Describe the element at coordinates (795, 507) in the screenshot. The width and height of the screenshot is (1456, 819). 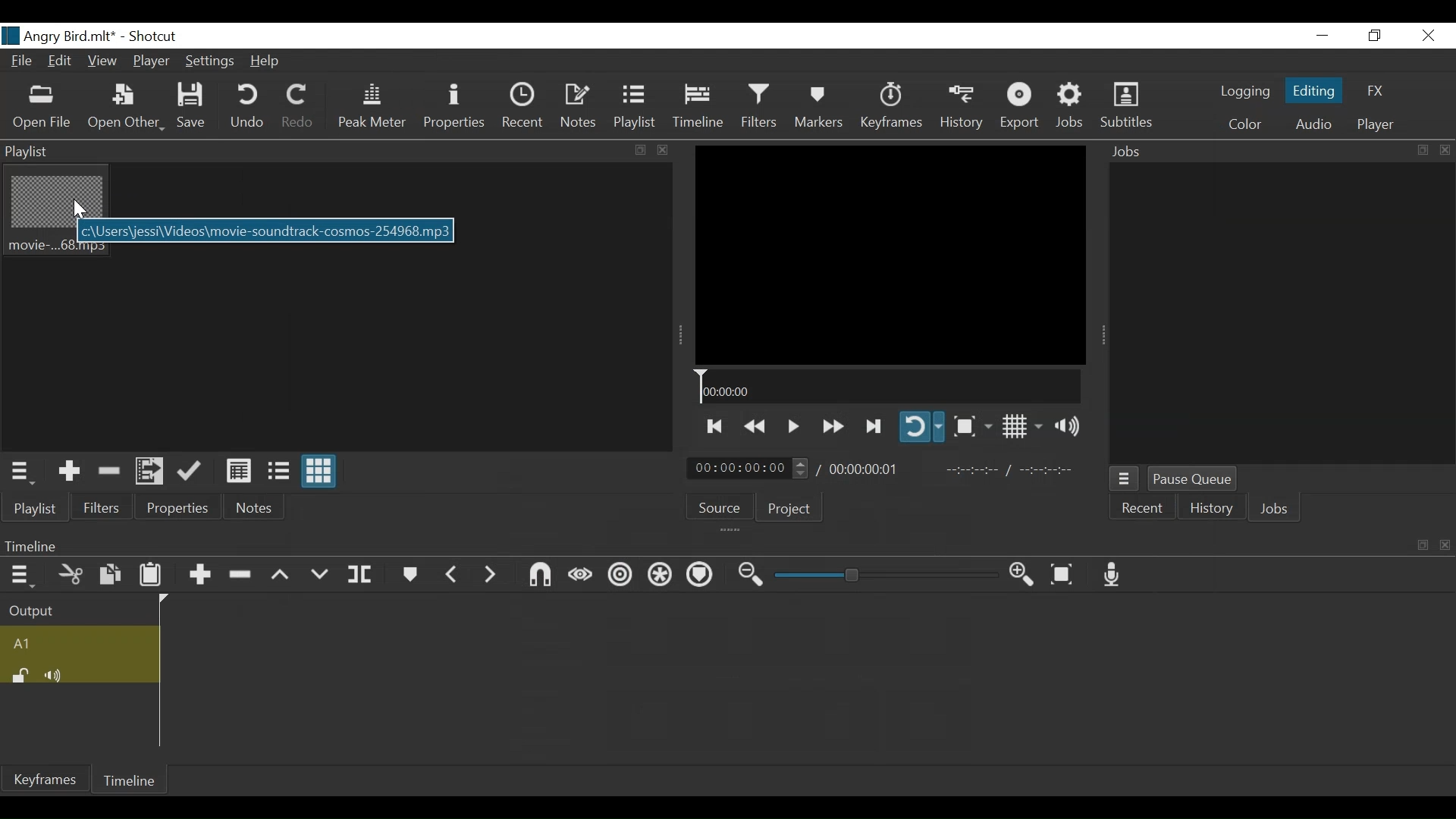
I see `Project` at that location.